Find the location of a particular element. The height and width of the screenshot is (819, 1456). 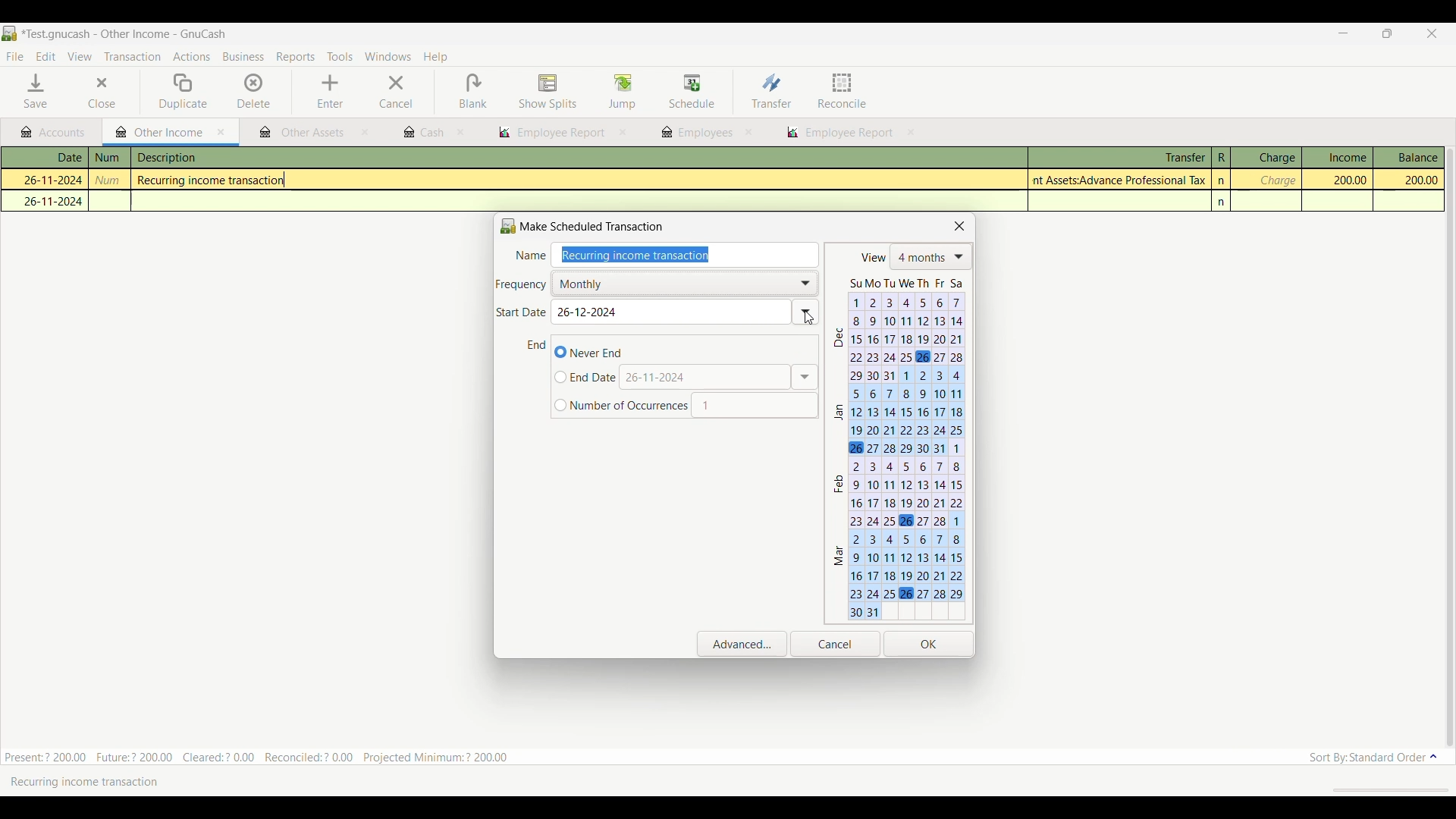

close is located at coordinates (365, 134).